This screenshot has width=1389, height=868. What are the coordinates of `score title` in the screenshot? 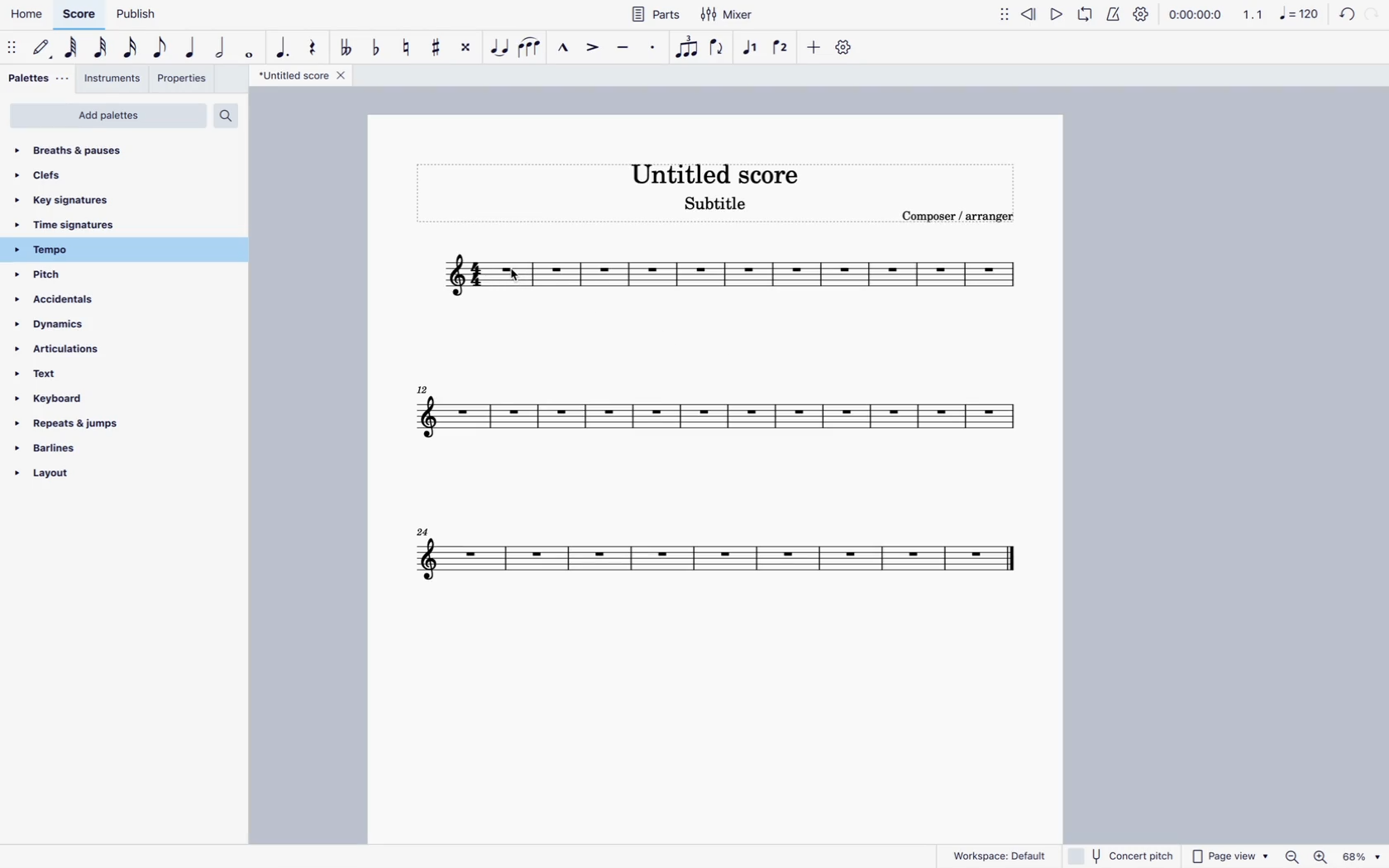 It's located at (729, 173).